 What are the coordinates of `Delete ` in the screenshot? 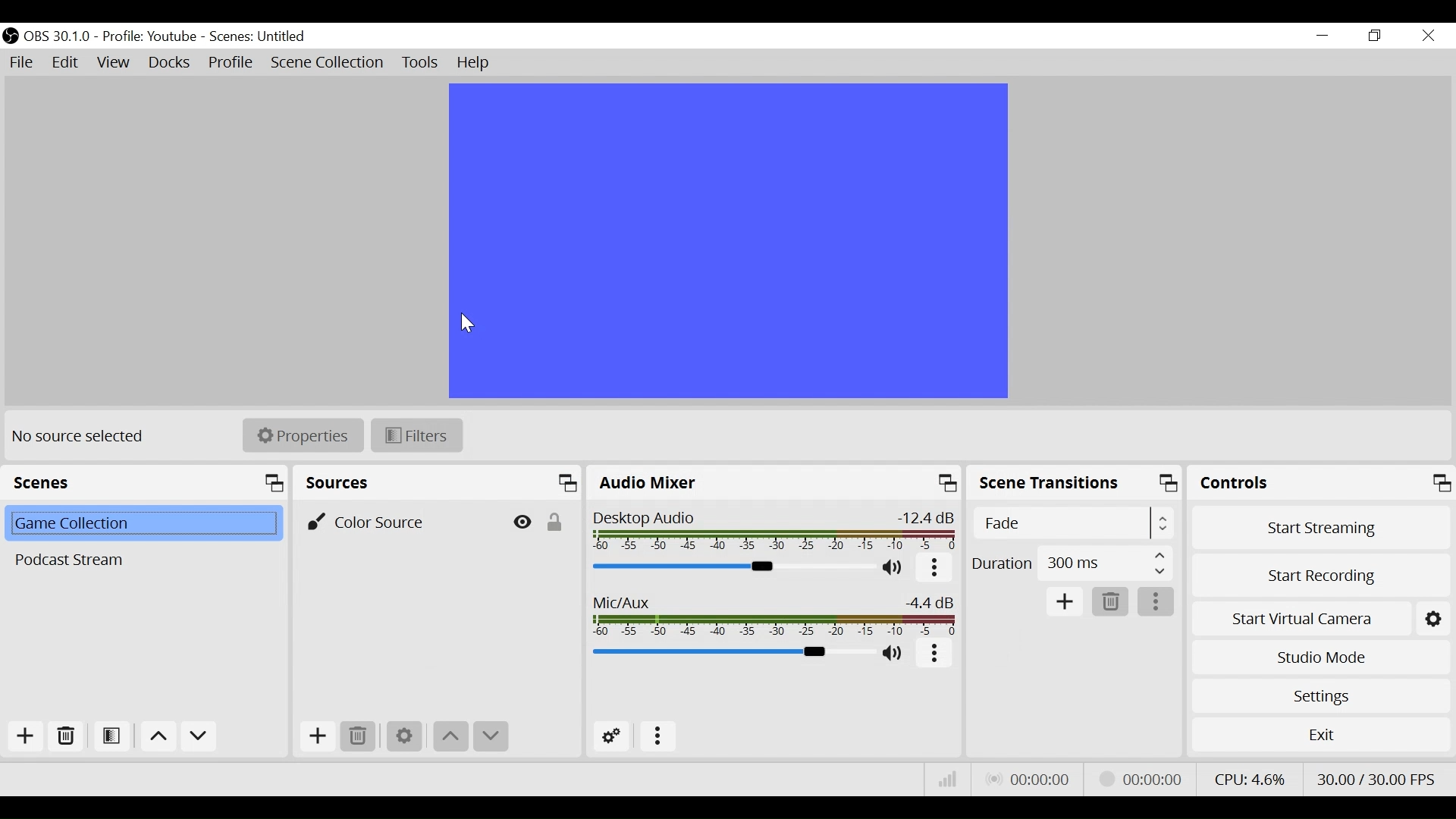 It's located at (1112, 602).